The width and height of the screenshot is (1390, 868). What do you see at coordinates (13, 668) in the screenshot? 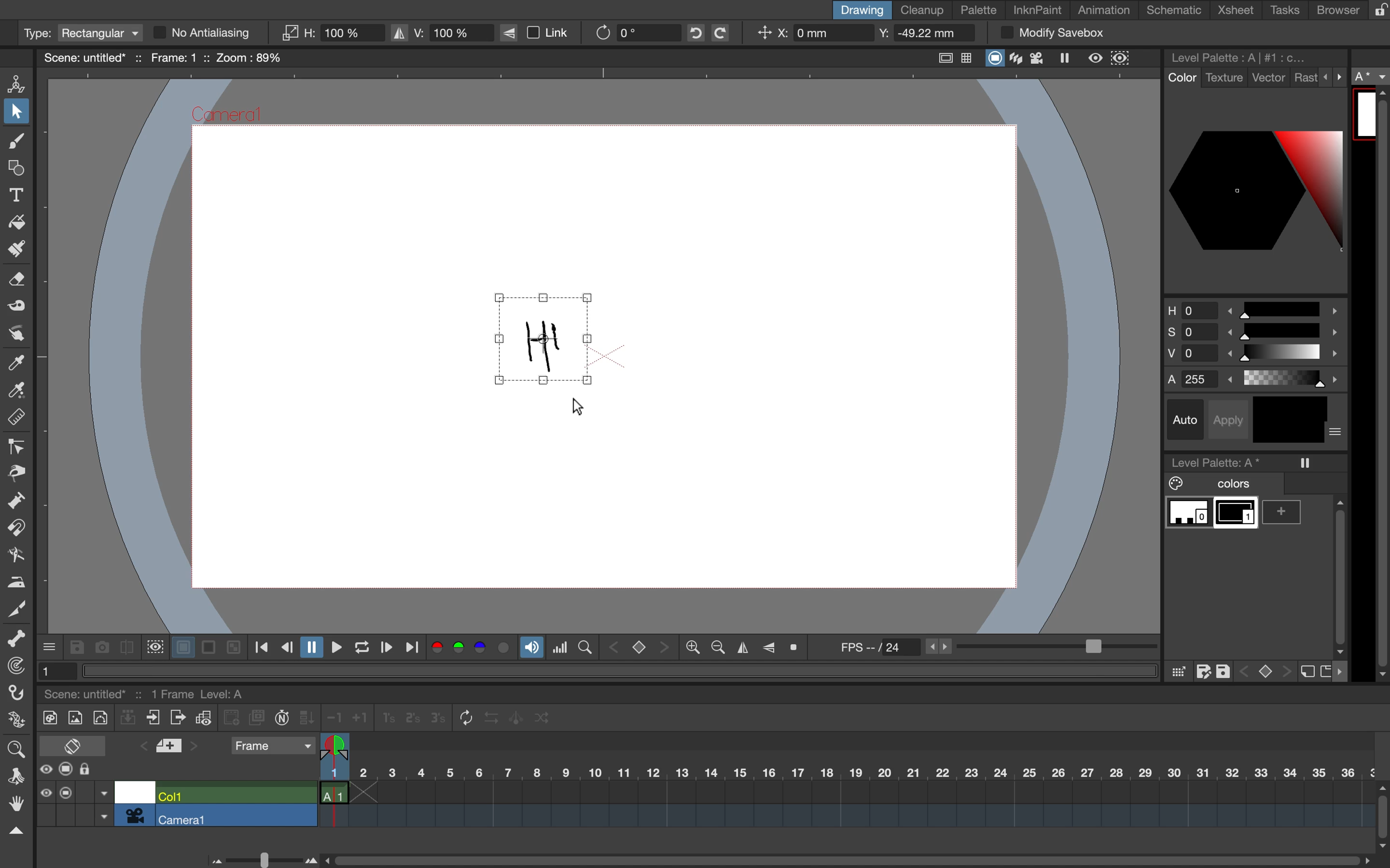
I see `tracker tool` at bounding box center [13, 668].